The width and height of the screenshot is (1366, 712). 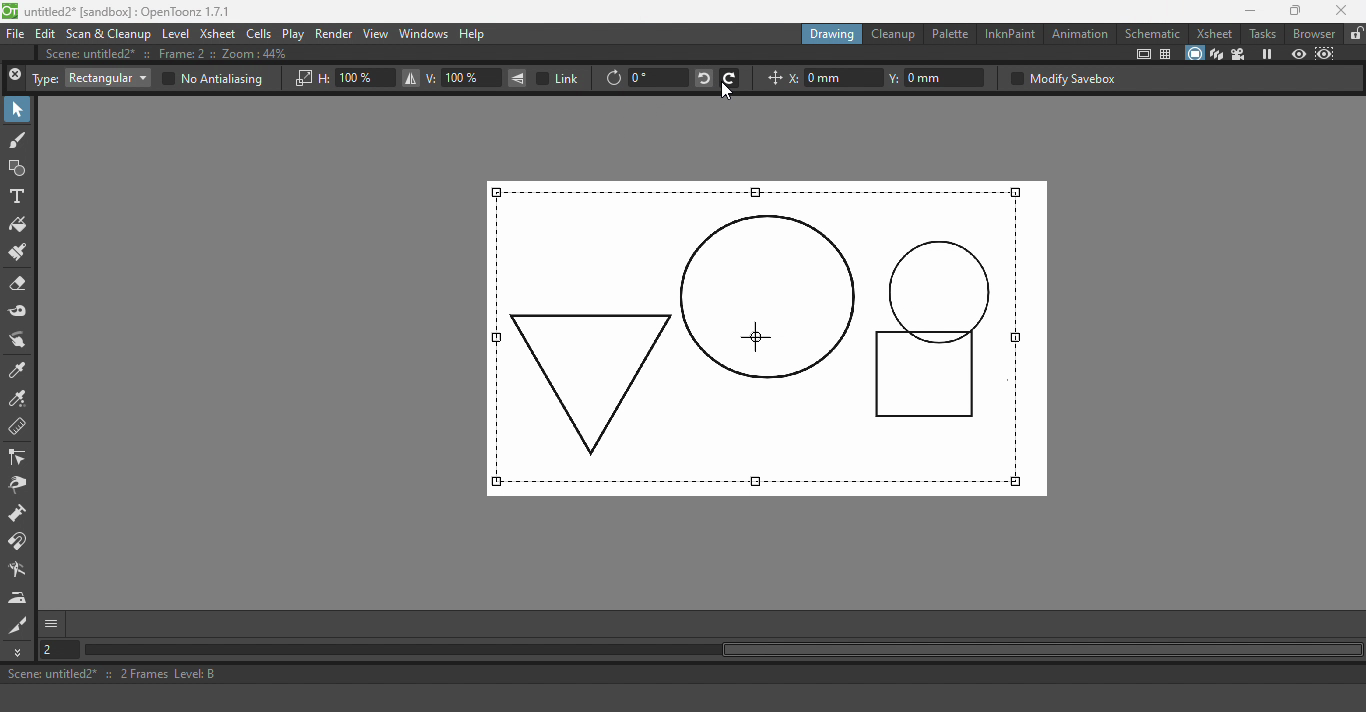 What do you see at coordinates (835, 78) in the screenshot?
I see `X: 0mm` at bounding box center [835, 78].